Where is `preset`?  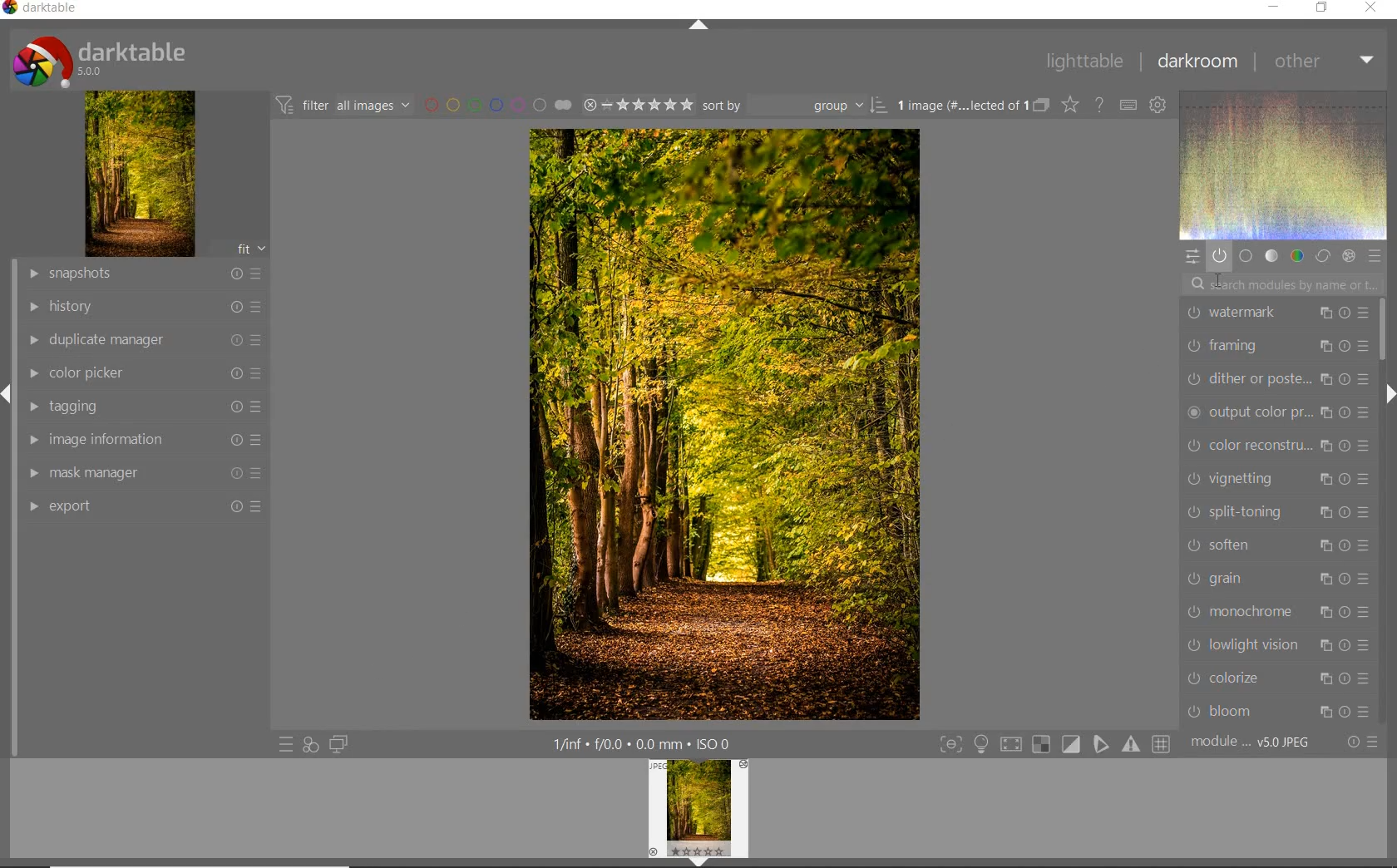 preset is located at coordinates (1374, 255).